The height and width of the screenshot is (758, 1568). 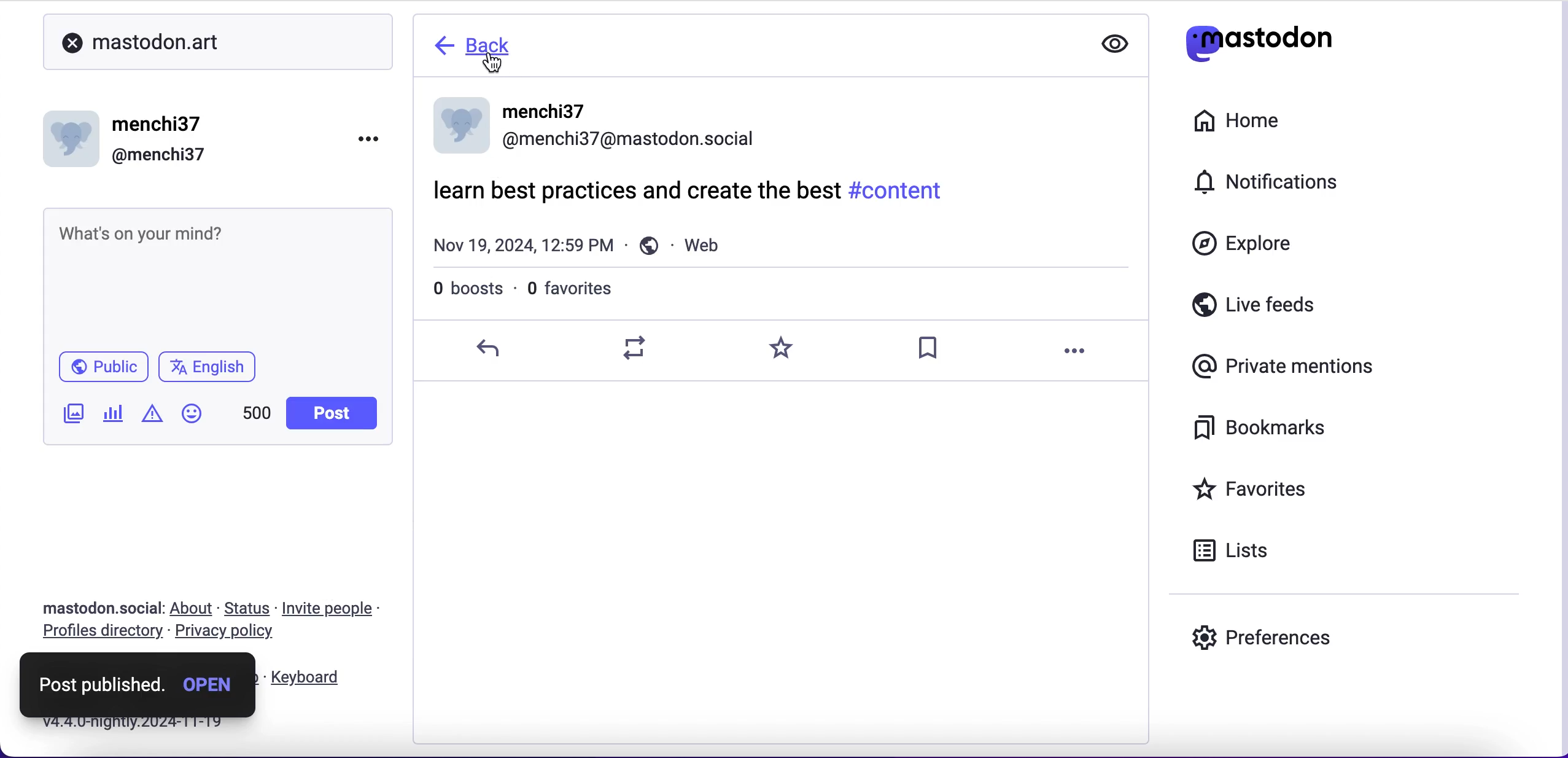 What do you see at coordinates (1112, 45) in the screenshot?
I see `mute` at bounding box center [1112, 45].